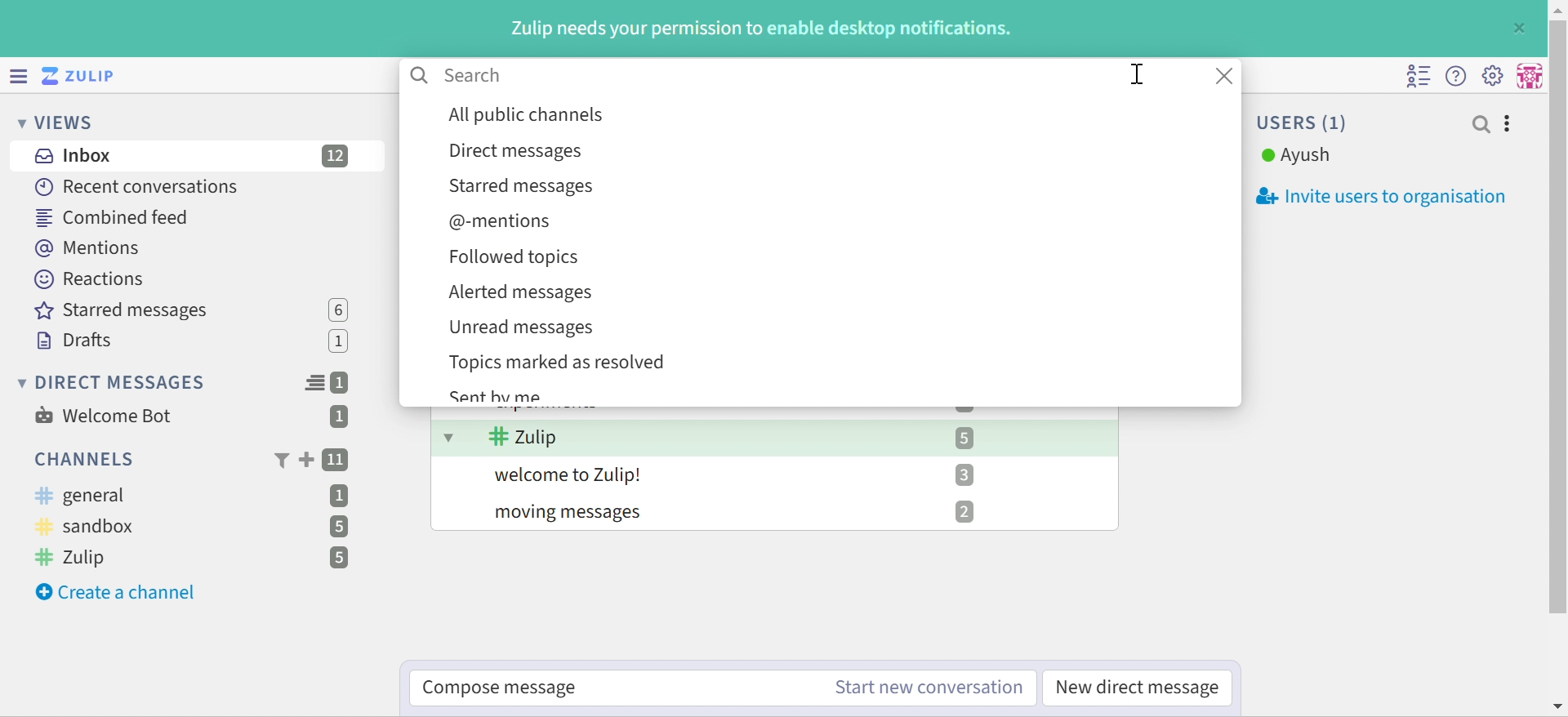 This screenshot has width=1568, height=717. I want to click on Followed topics, so click(515, 257).